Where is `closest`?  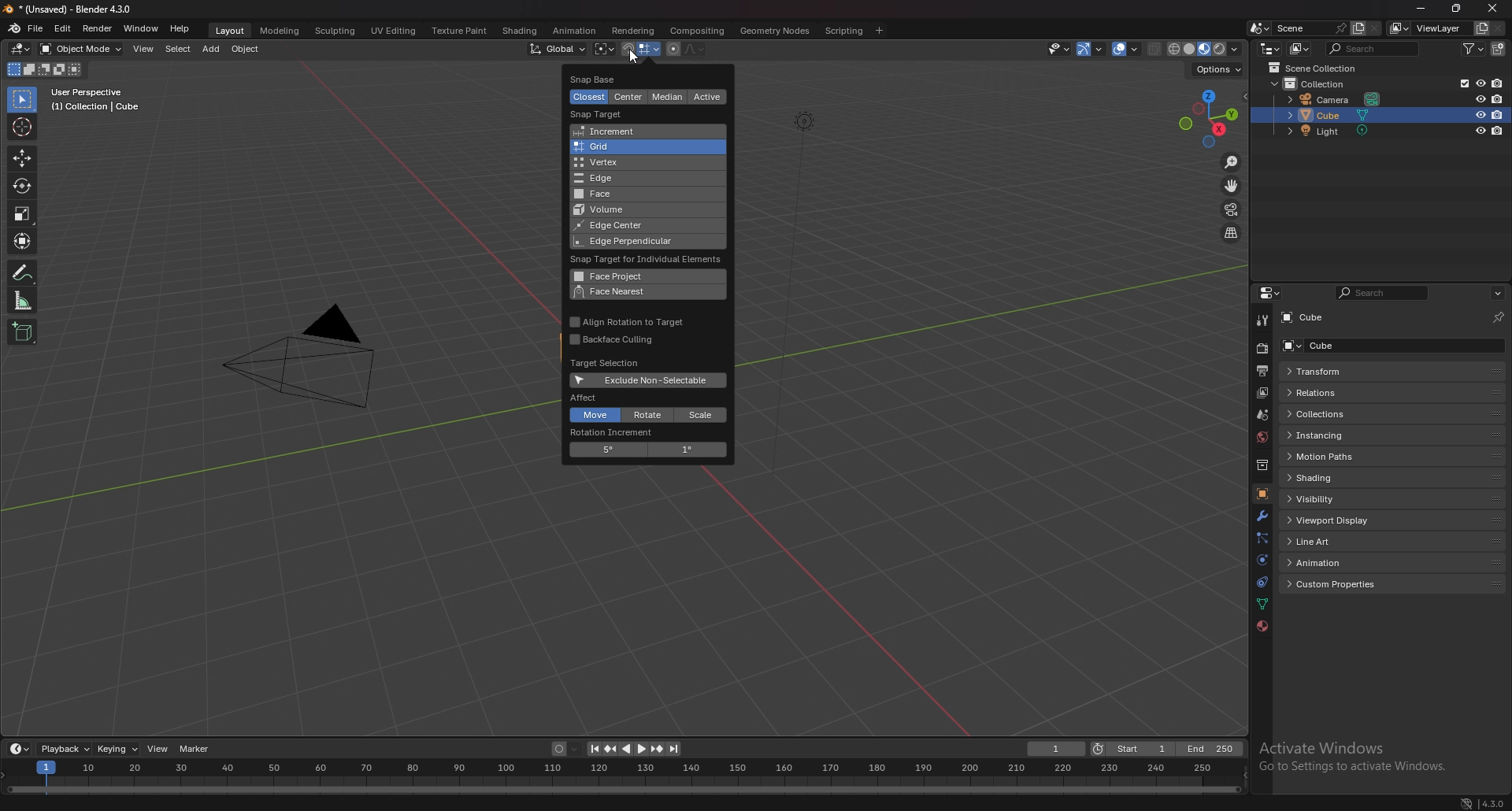 closest is located at coordinates (591, 97).